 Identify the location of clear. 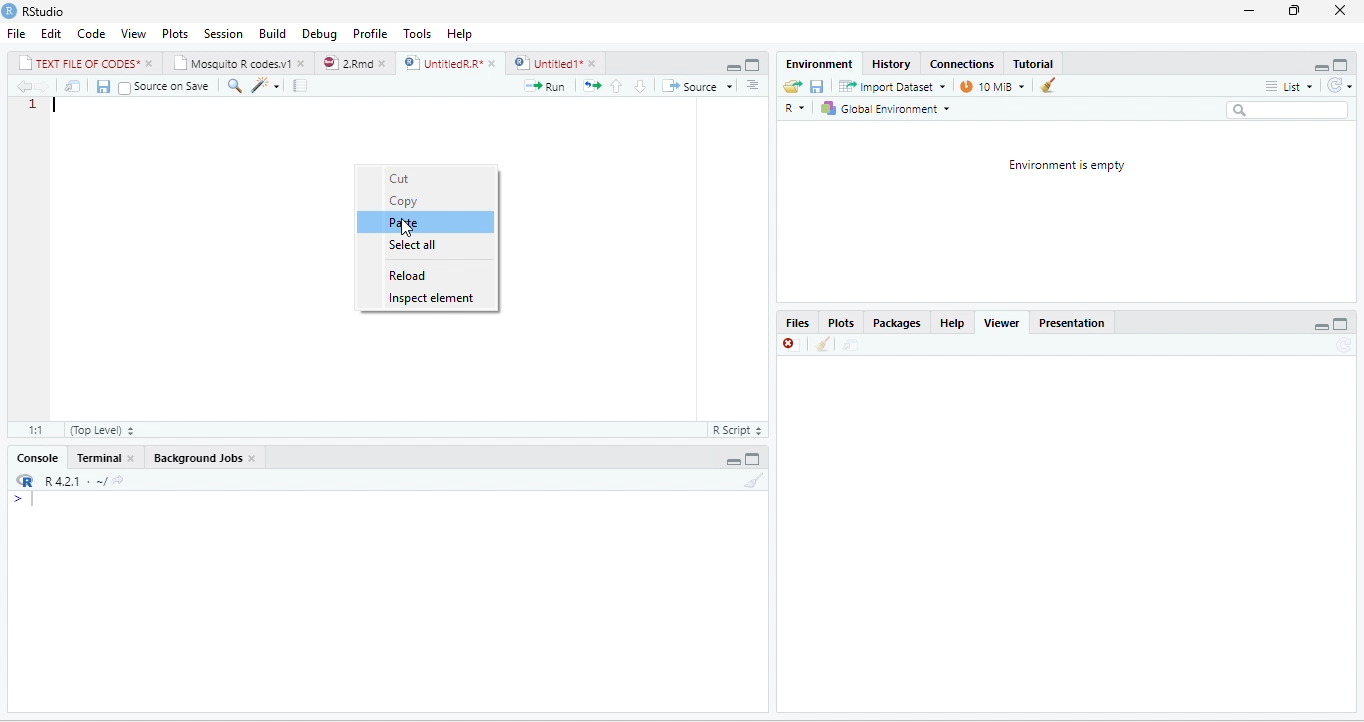
(1047, 85).